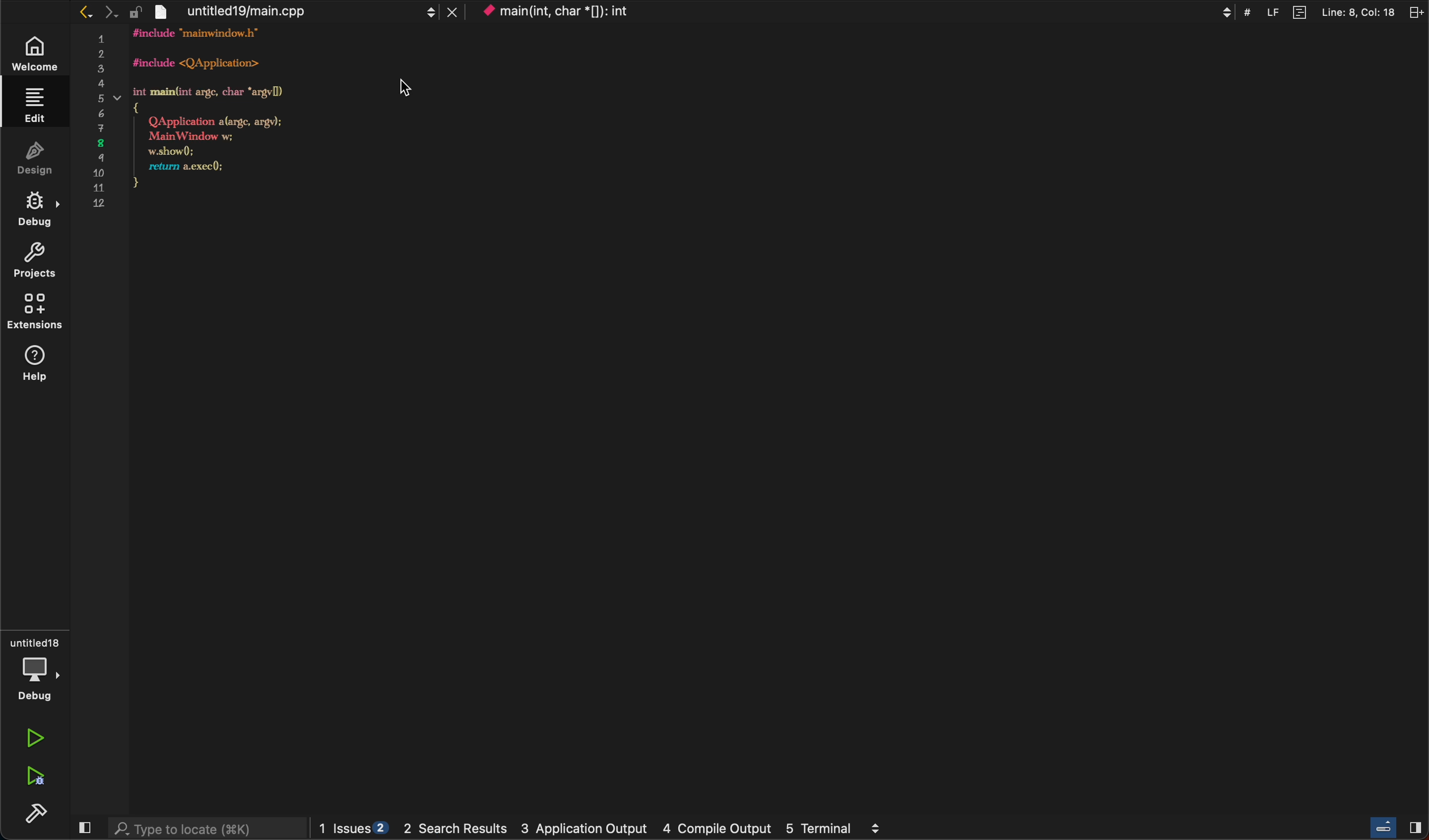 Image resolution: width=1429 pixels, height=840 pixels. Describe the element at coordinates (85, 828) in the screenshot. I see `close sidebar` at that location.